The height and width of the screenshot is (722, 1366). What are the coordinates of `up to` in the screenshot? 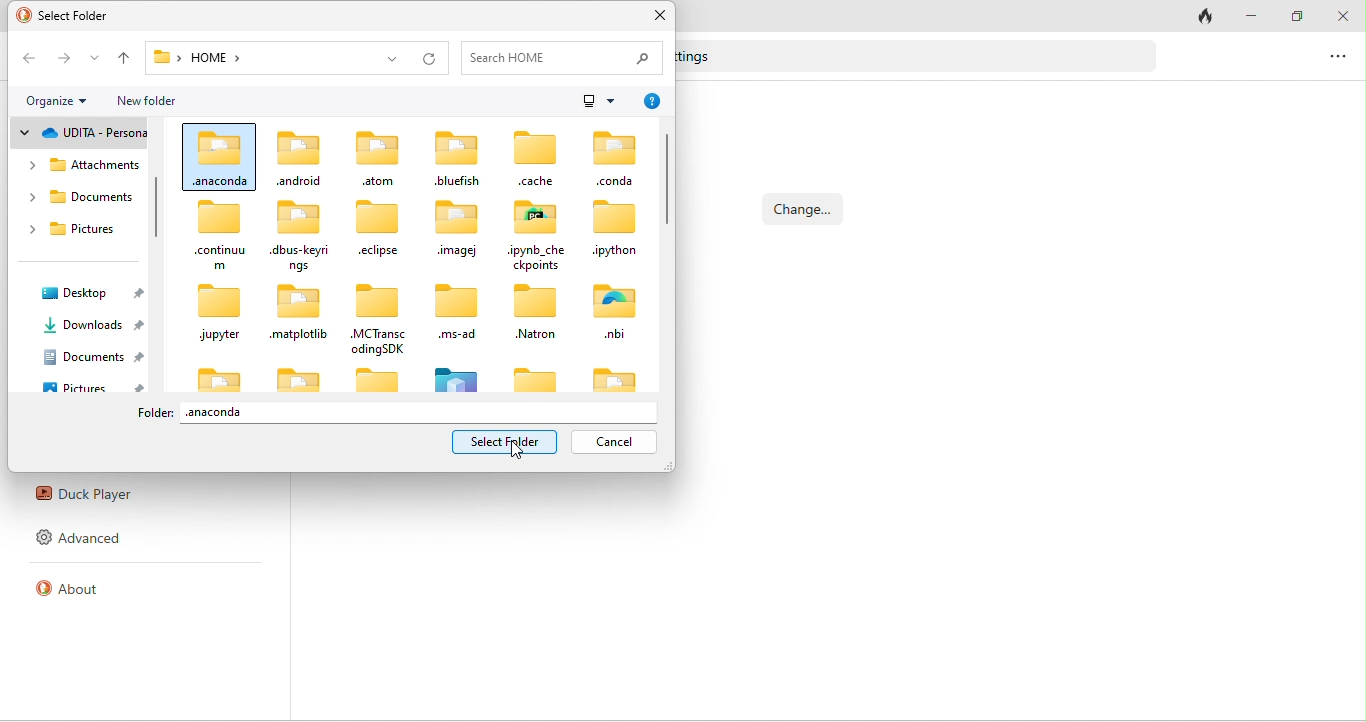 It's located at (123, 58).